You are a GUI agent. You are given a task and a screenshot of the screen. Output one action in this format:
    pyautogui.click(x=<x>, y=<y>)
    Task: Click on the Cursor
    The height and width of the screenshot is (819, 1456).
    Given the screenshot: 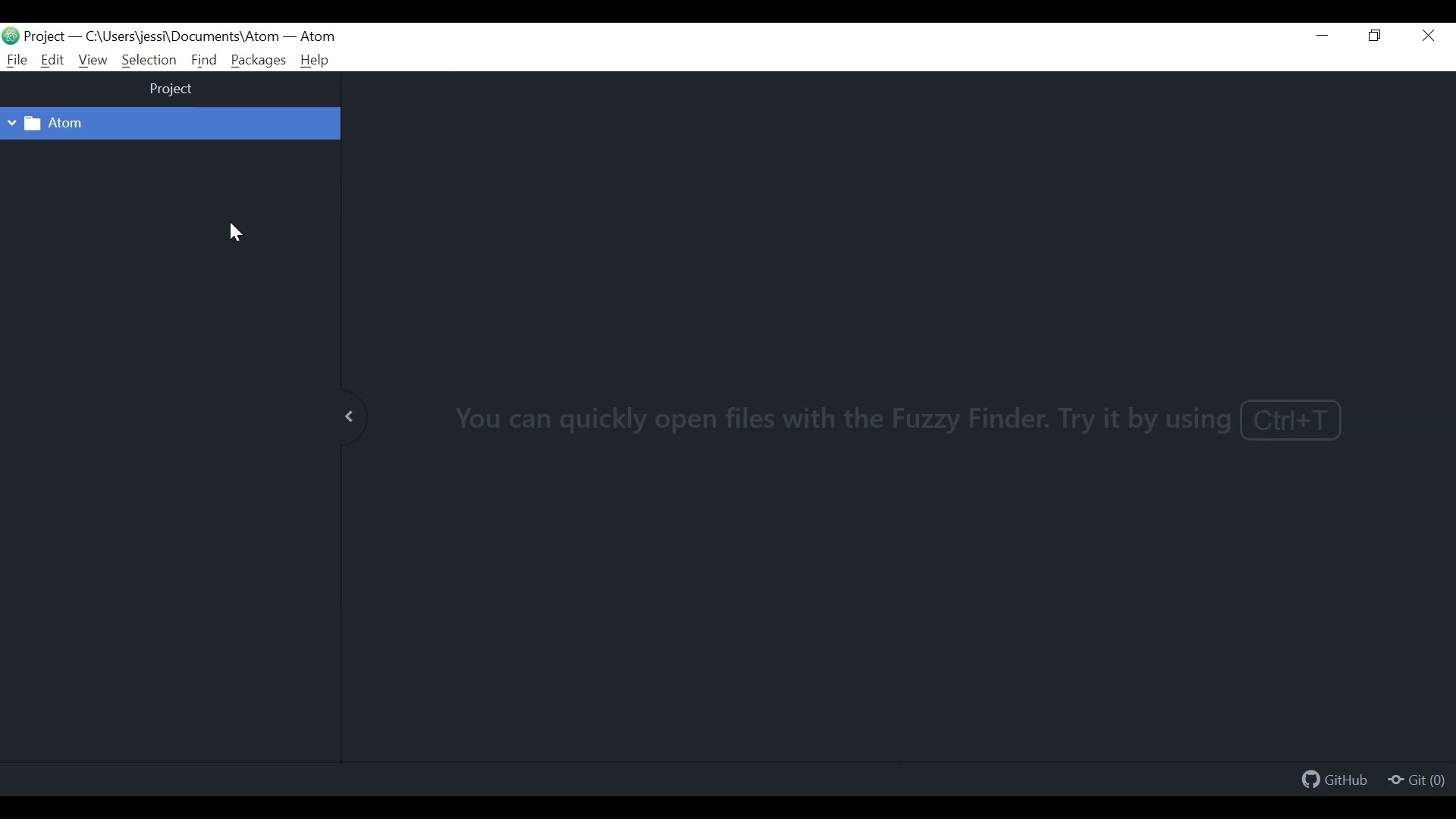 What is the action you would take?
    pyautogui.click(x=235, y=233)
    